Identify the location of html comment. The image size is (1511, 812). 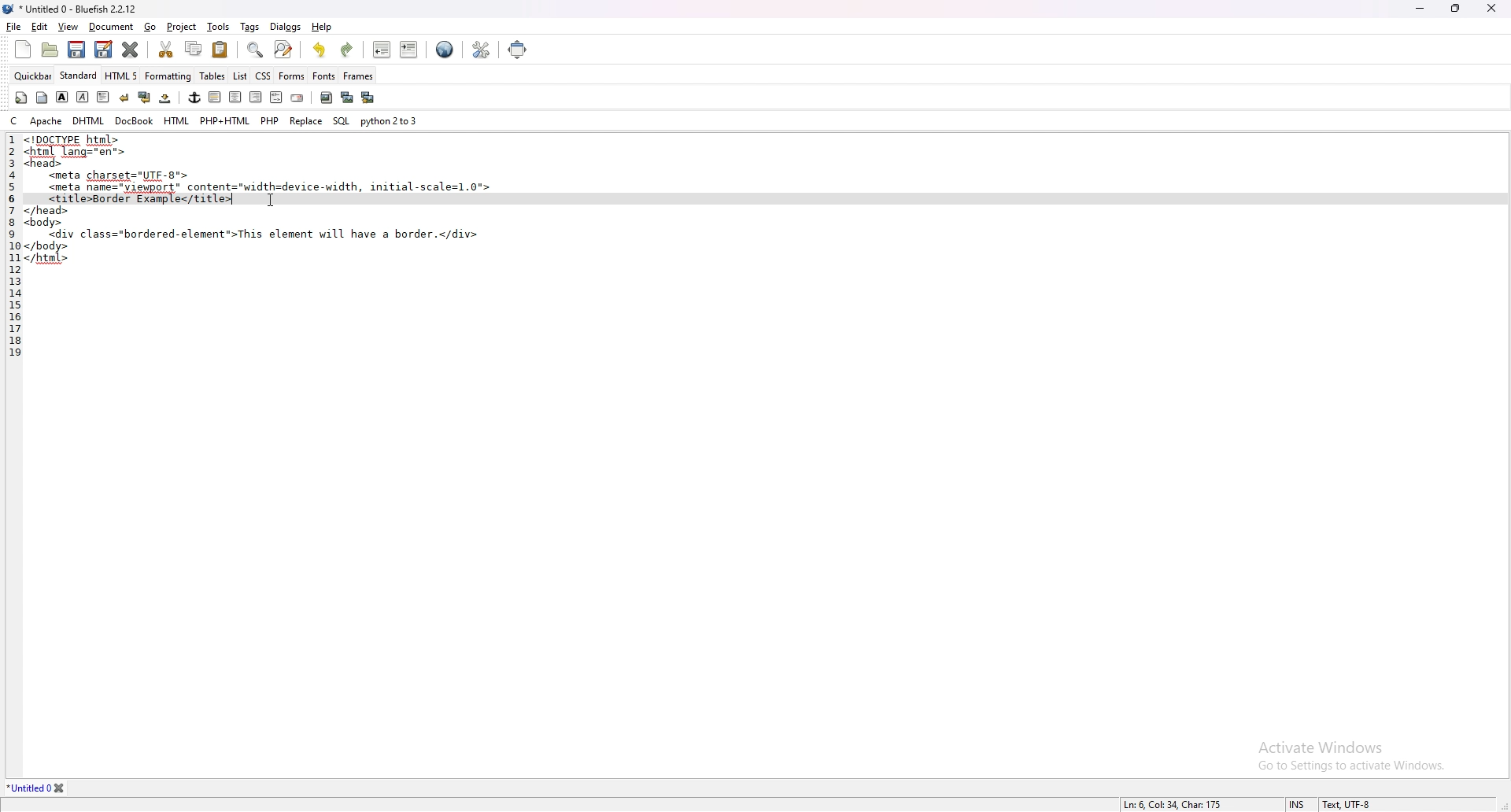
(275, 98).